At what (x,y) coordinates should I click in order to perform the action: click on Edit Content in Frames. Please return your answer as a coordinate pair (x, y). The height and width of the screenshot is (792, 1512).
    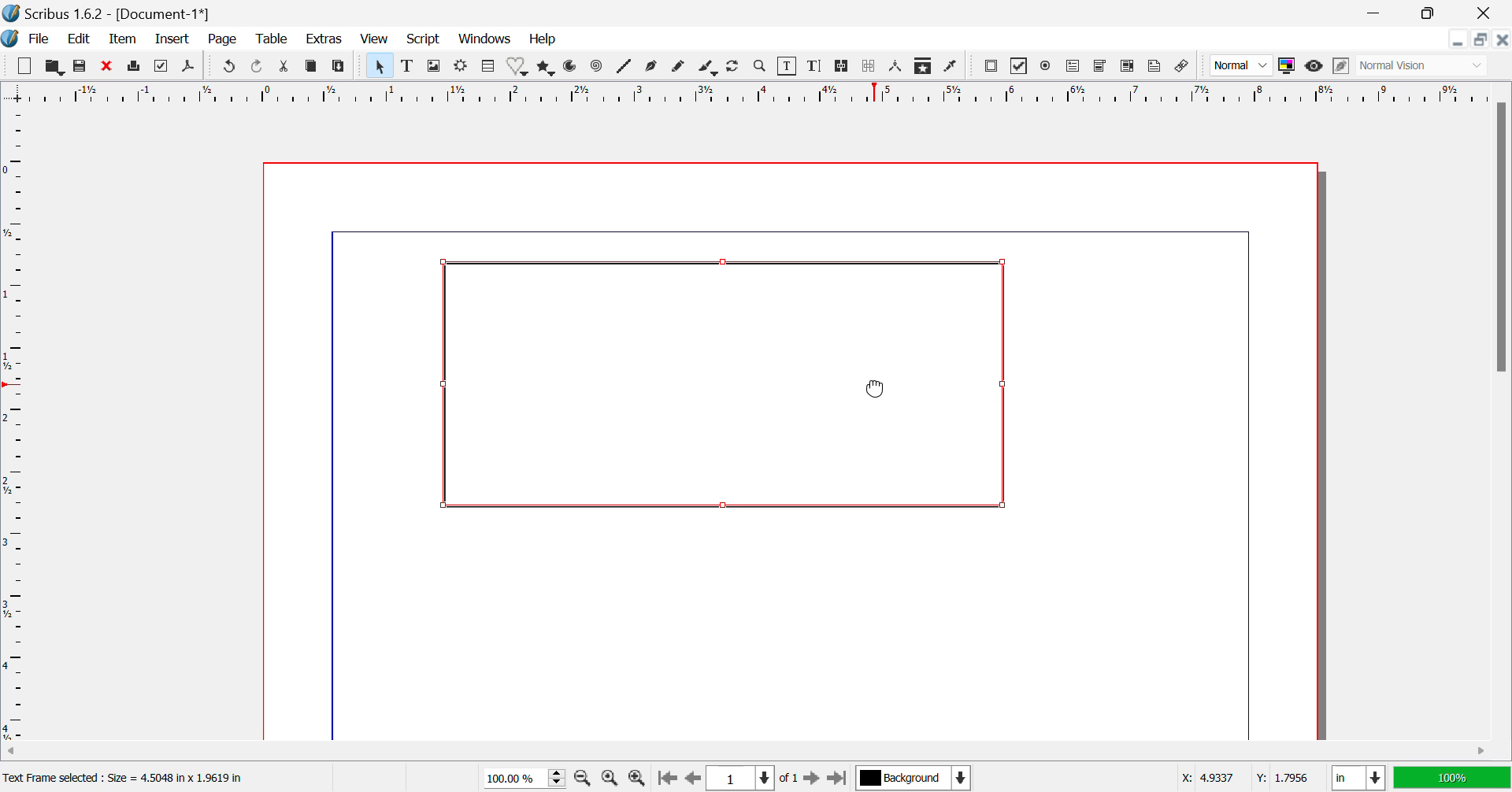
    Looking at the image, I should click on (790, 66).